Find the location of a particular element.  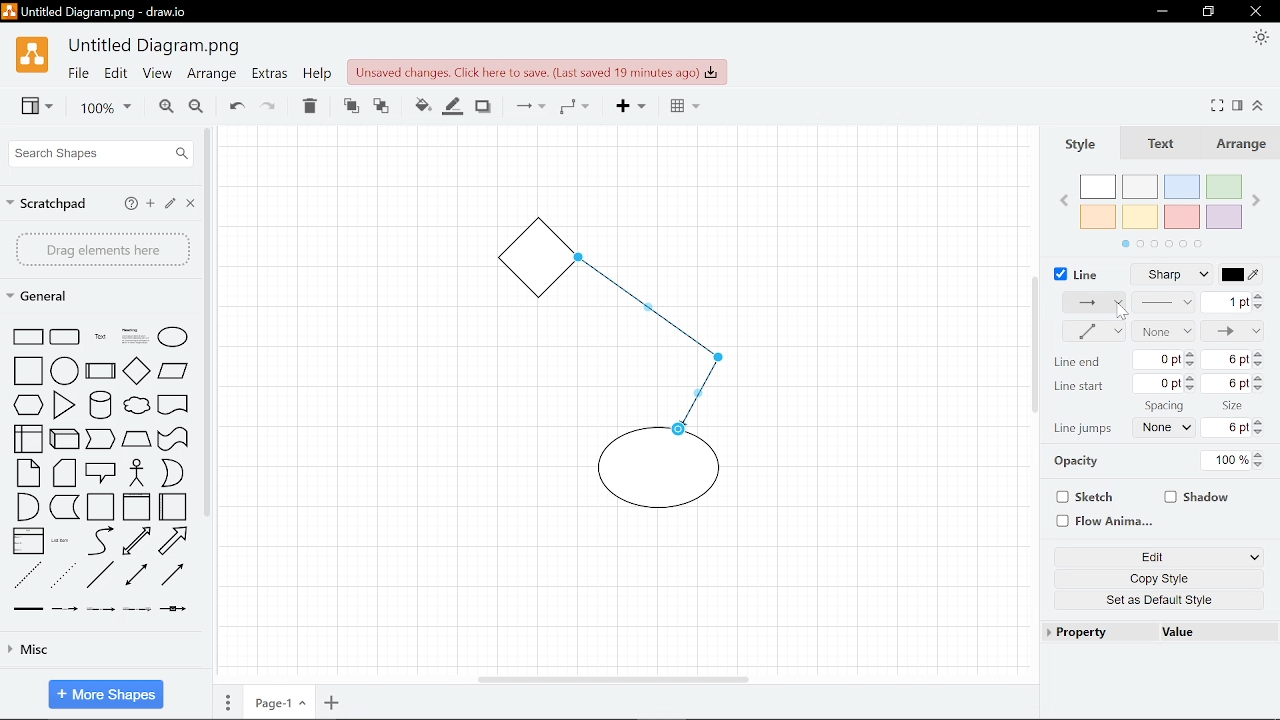

shape is located at coordinates (174, 507).